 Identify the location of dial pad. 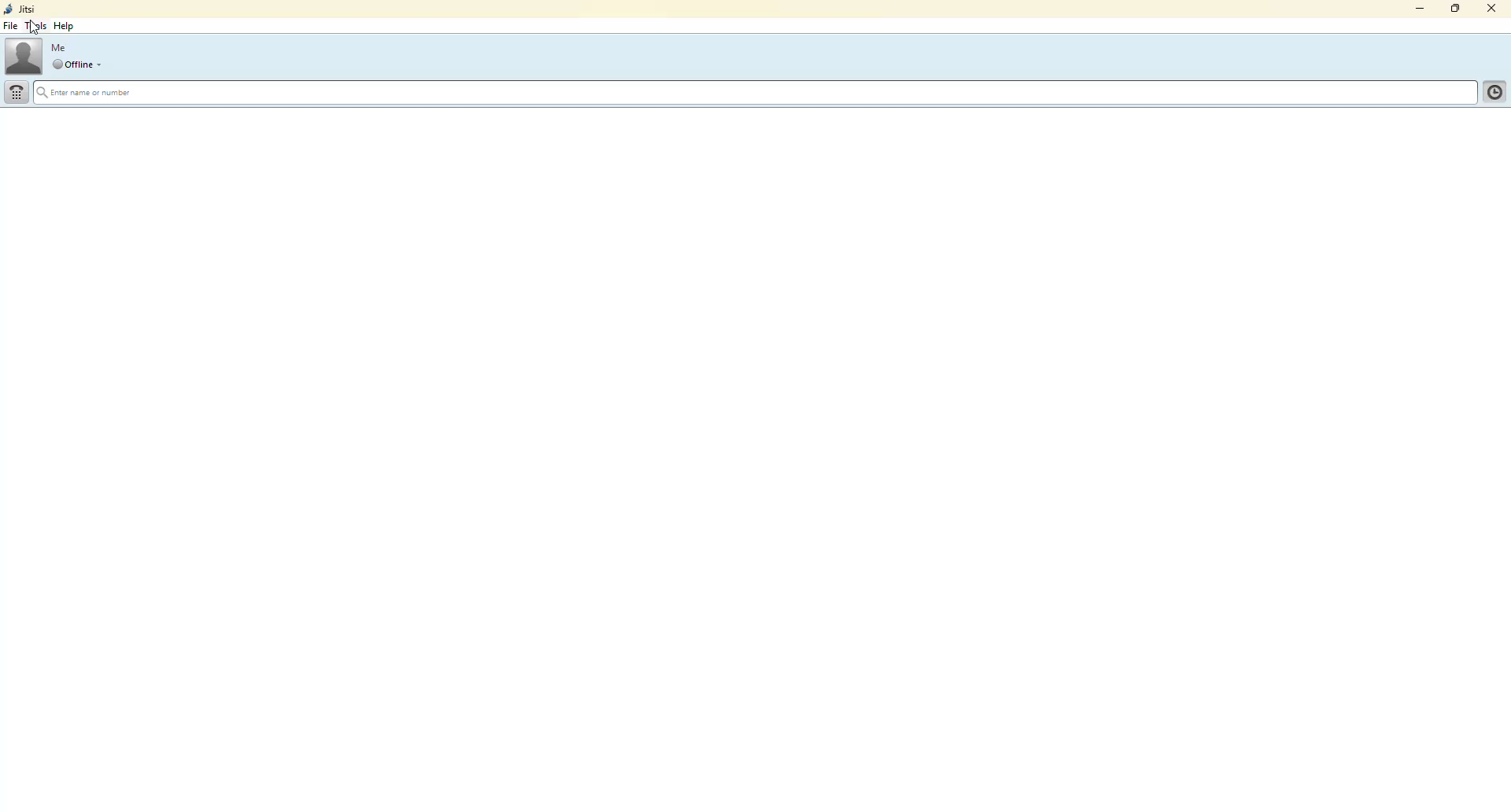
(17, 93).